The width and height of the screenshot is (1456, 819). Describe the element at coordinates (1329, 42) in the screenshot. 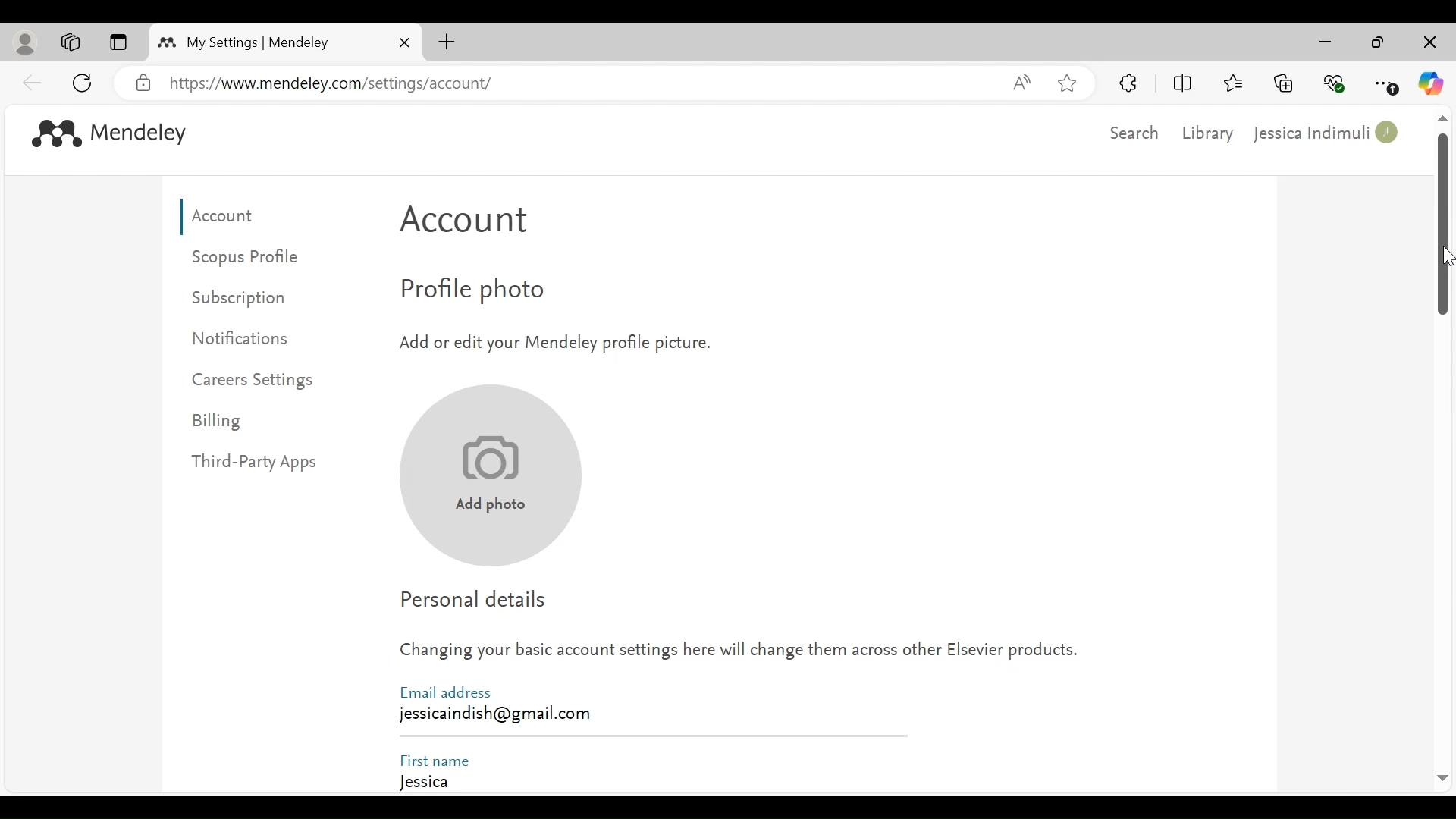

I see `minimize` at that location.